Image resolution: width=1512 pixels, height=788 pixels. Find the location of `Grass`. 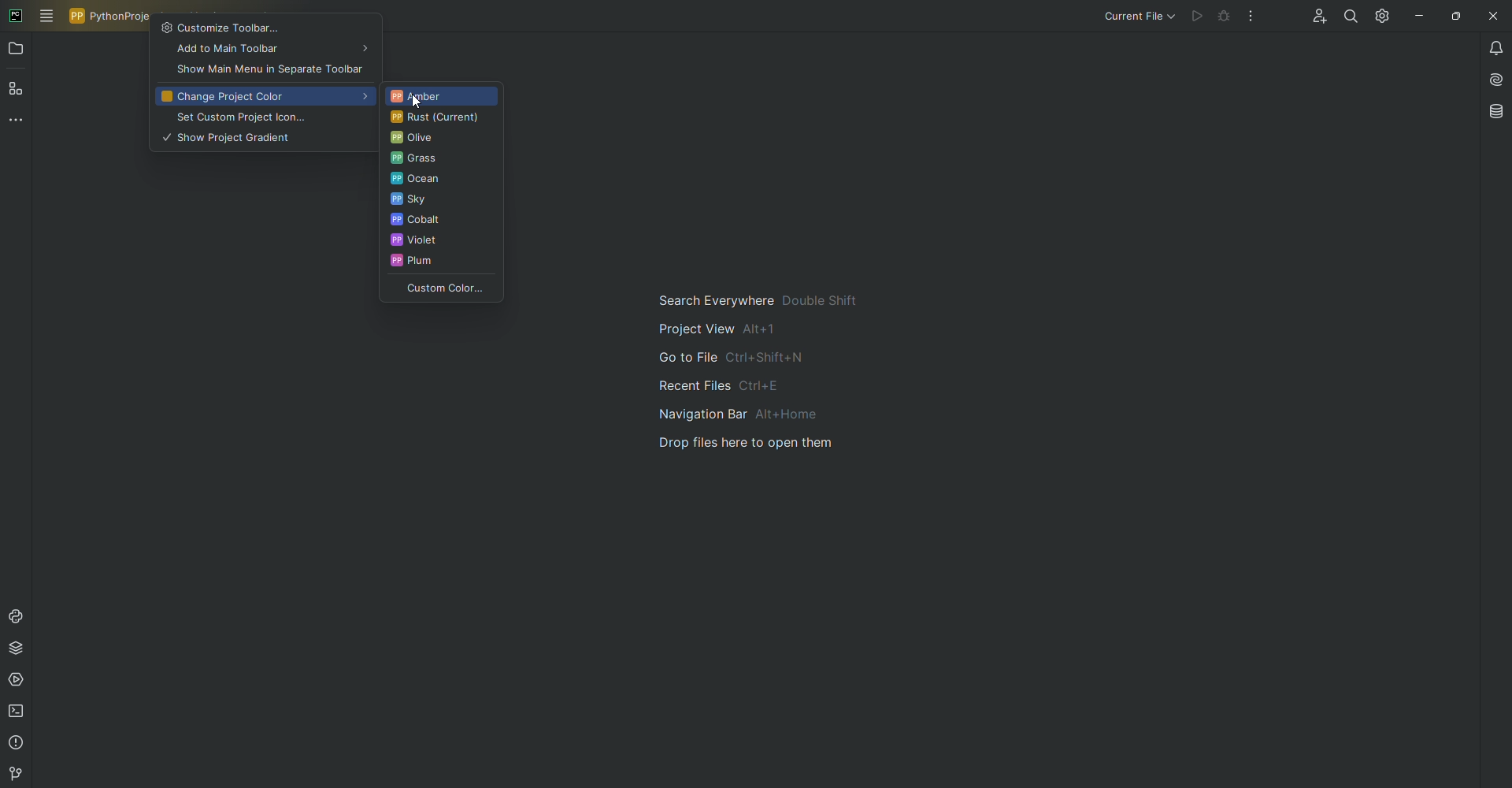

Grass is located at coordinates (441, 160).